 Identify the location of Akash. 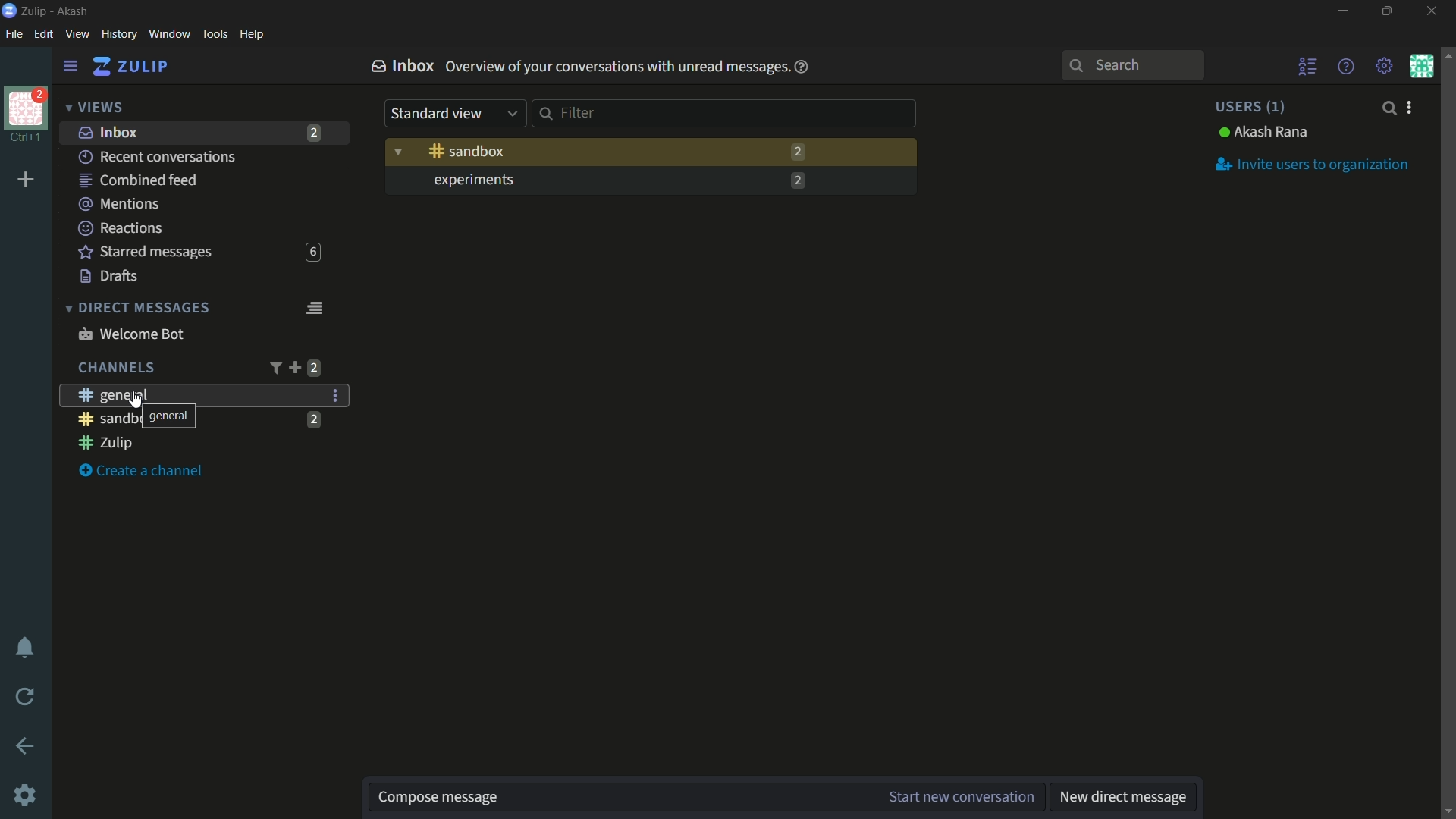
(74, 12).